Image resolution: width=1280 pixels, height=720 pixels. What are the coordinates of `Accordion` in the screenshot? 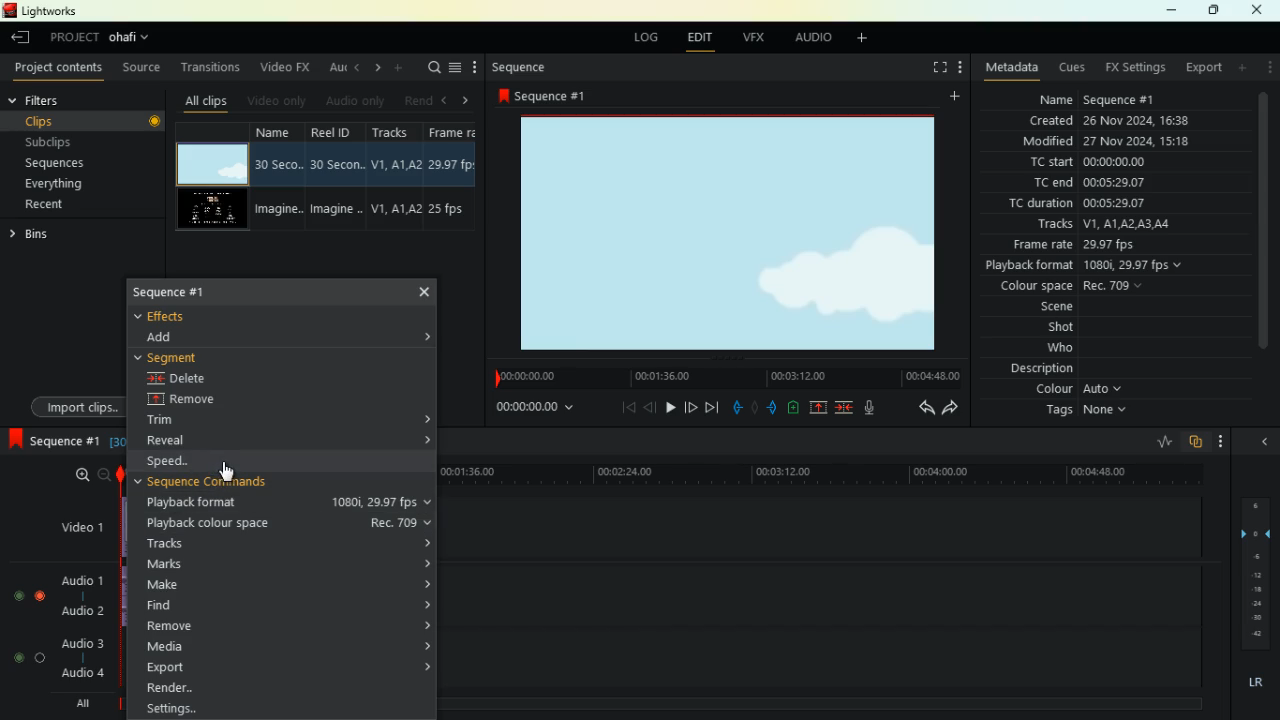 It's located at (426, 443).